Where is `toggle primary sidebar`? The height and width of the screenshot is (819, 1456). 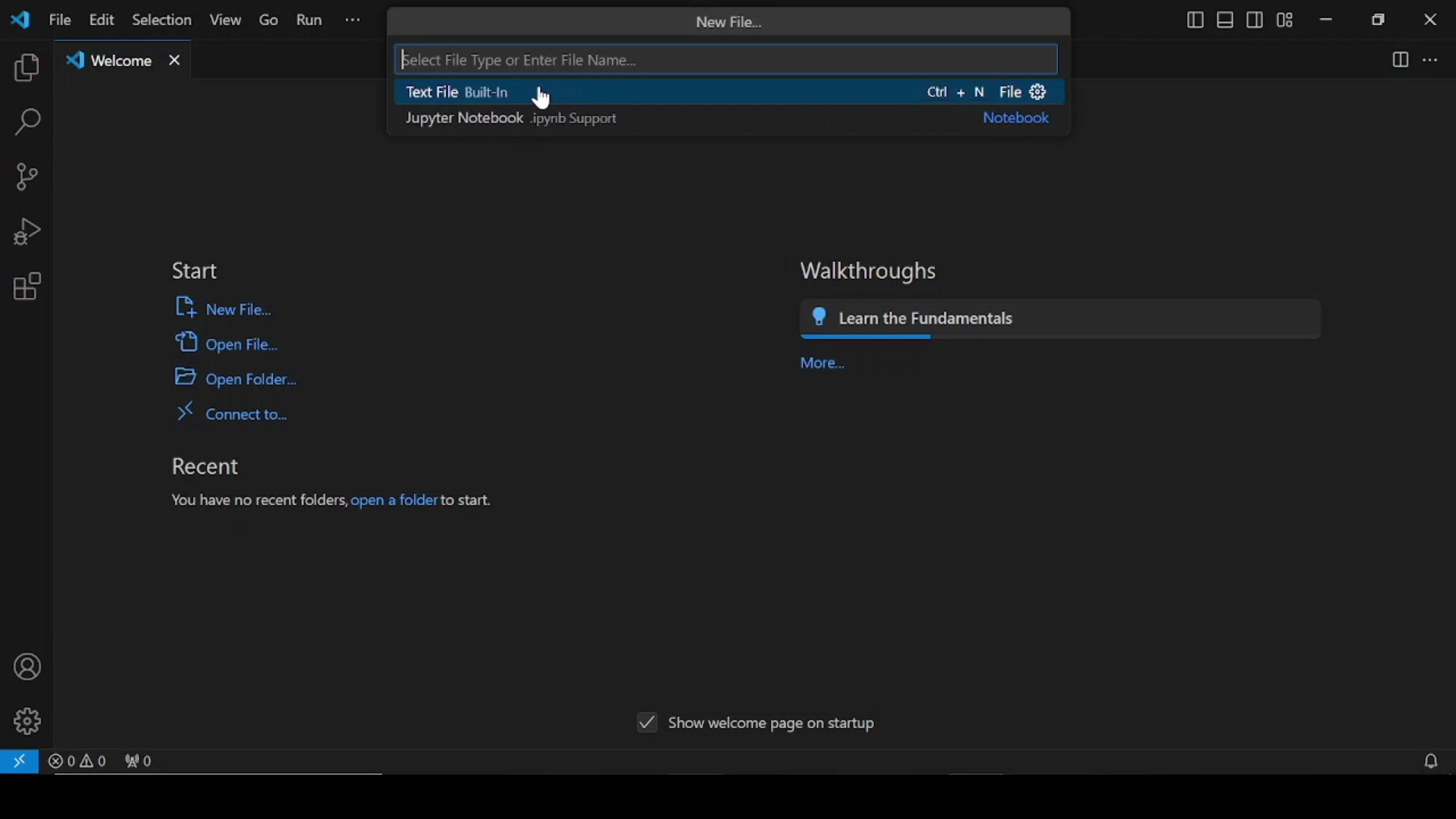 toggle primary sidebar is located at coordinates (1193, 20).